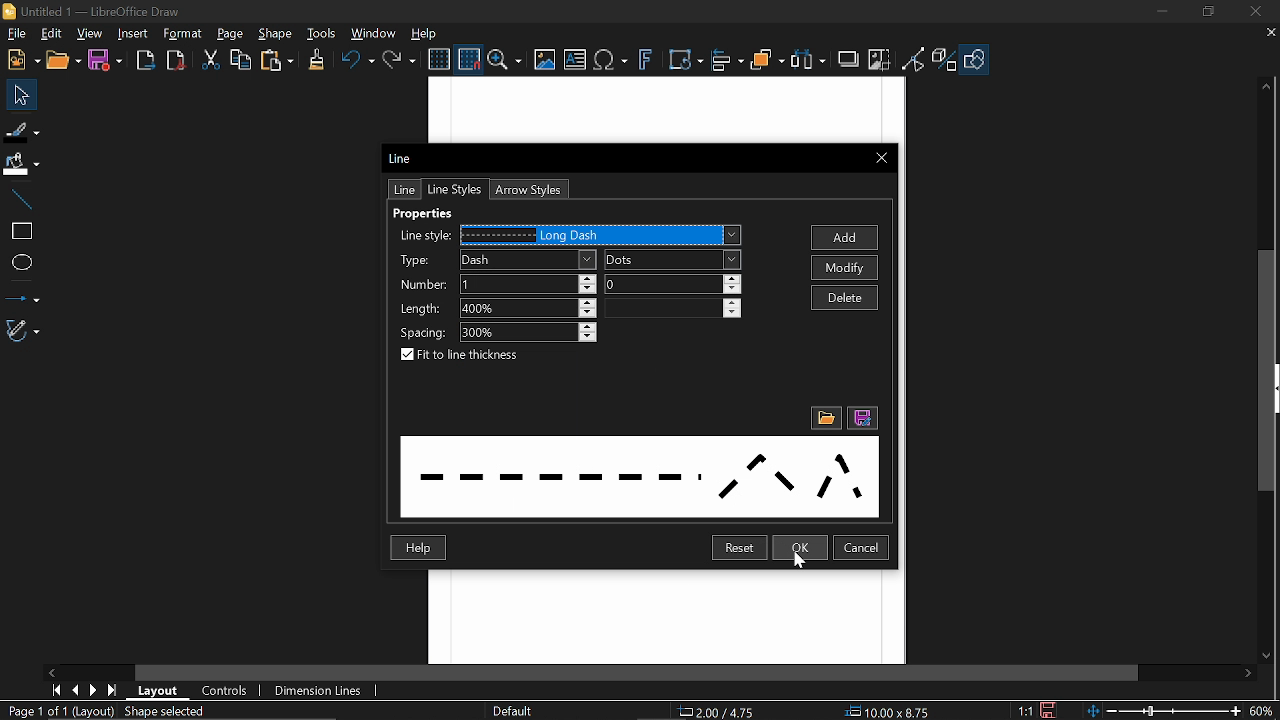 This screenshot has width=1280, height=720. What do you see at coordinates (530, 333) in the screenshot?
I see `Spacing` at bounding box center [530, 333].